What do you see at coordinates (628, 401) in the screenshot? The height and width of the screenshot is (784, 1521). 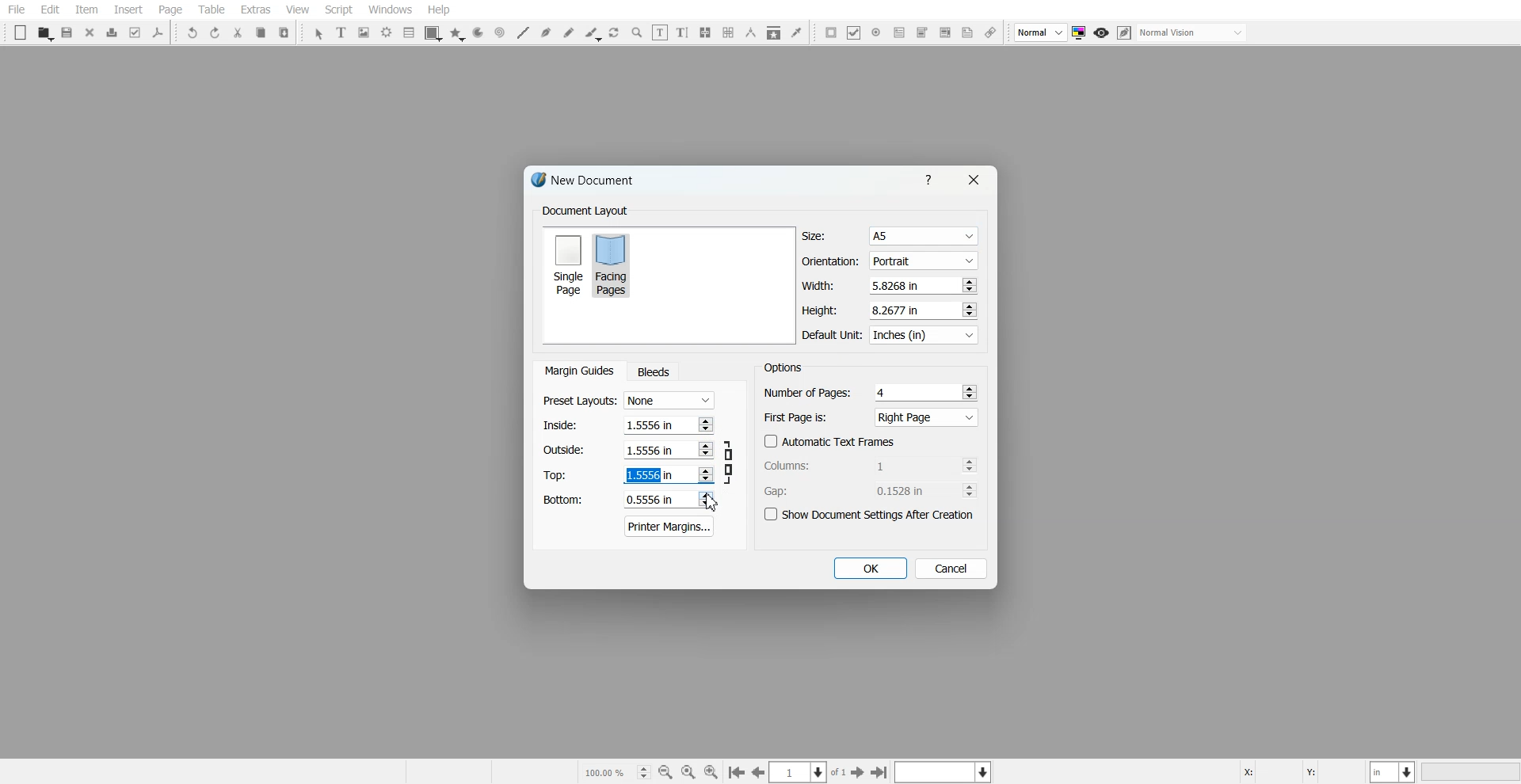 I see `Preset Layout` at bounding box center [628, 401].